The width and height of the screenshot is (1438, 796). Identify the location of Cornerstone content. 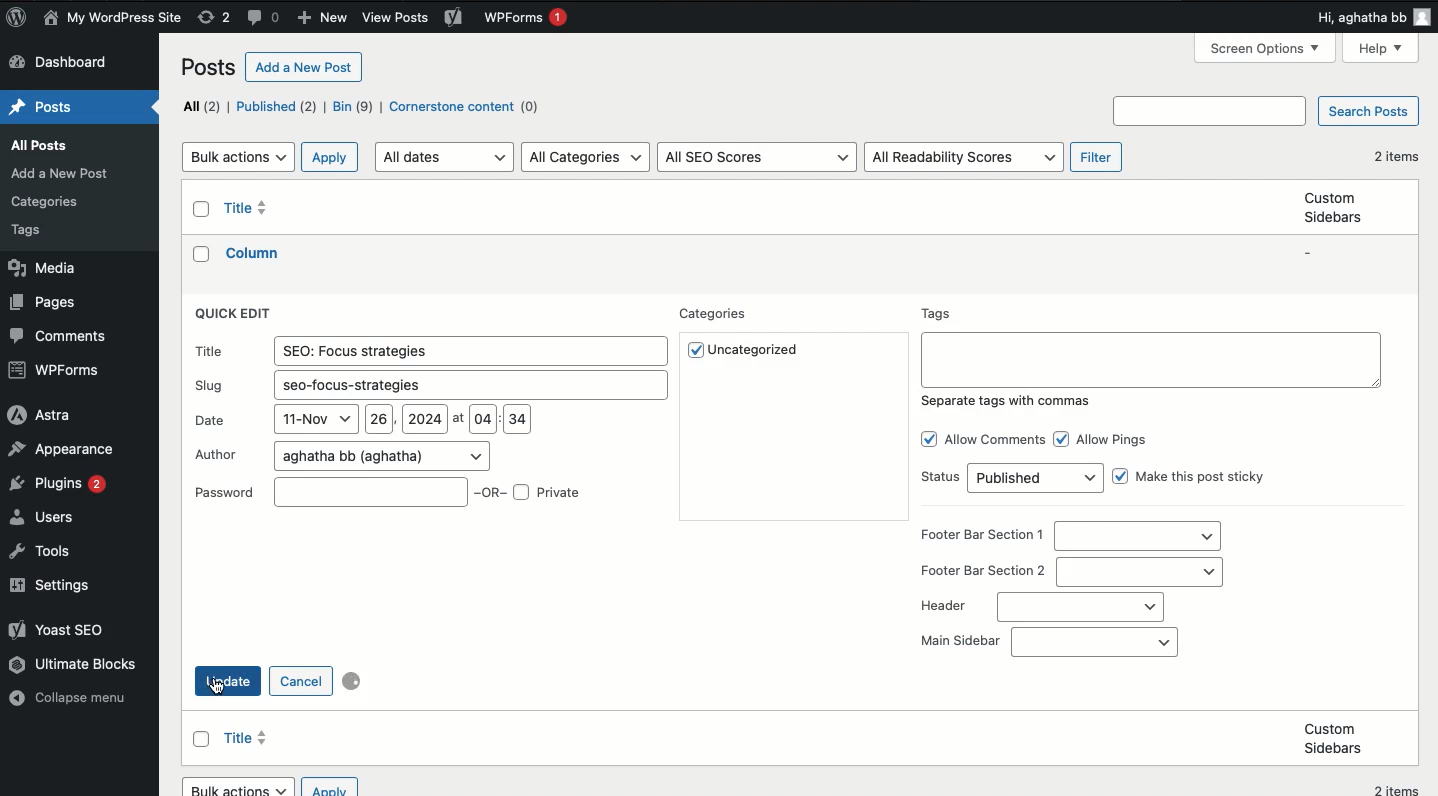
(468, 108).